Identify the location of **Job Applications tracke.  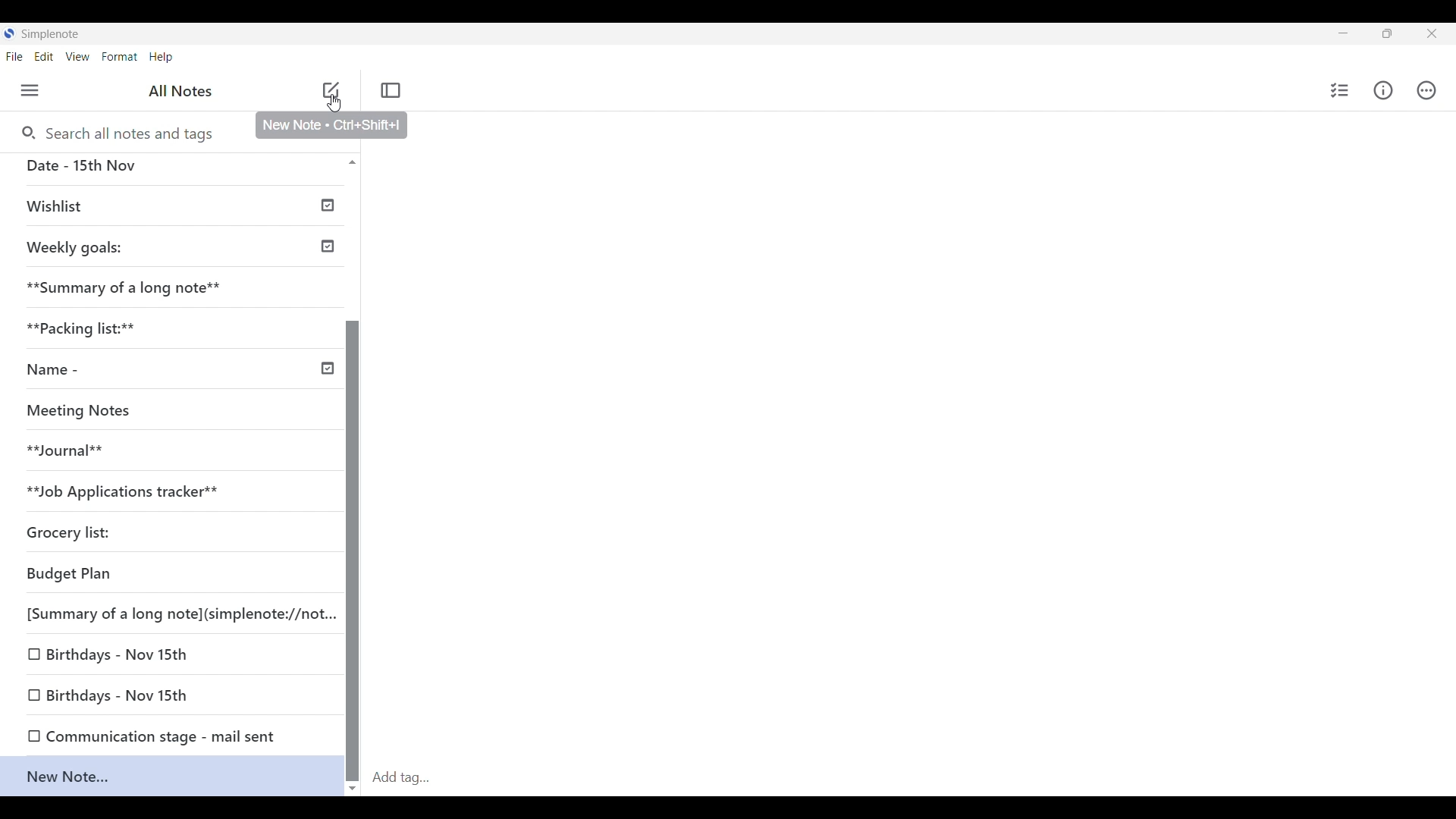
(118, 491).